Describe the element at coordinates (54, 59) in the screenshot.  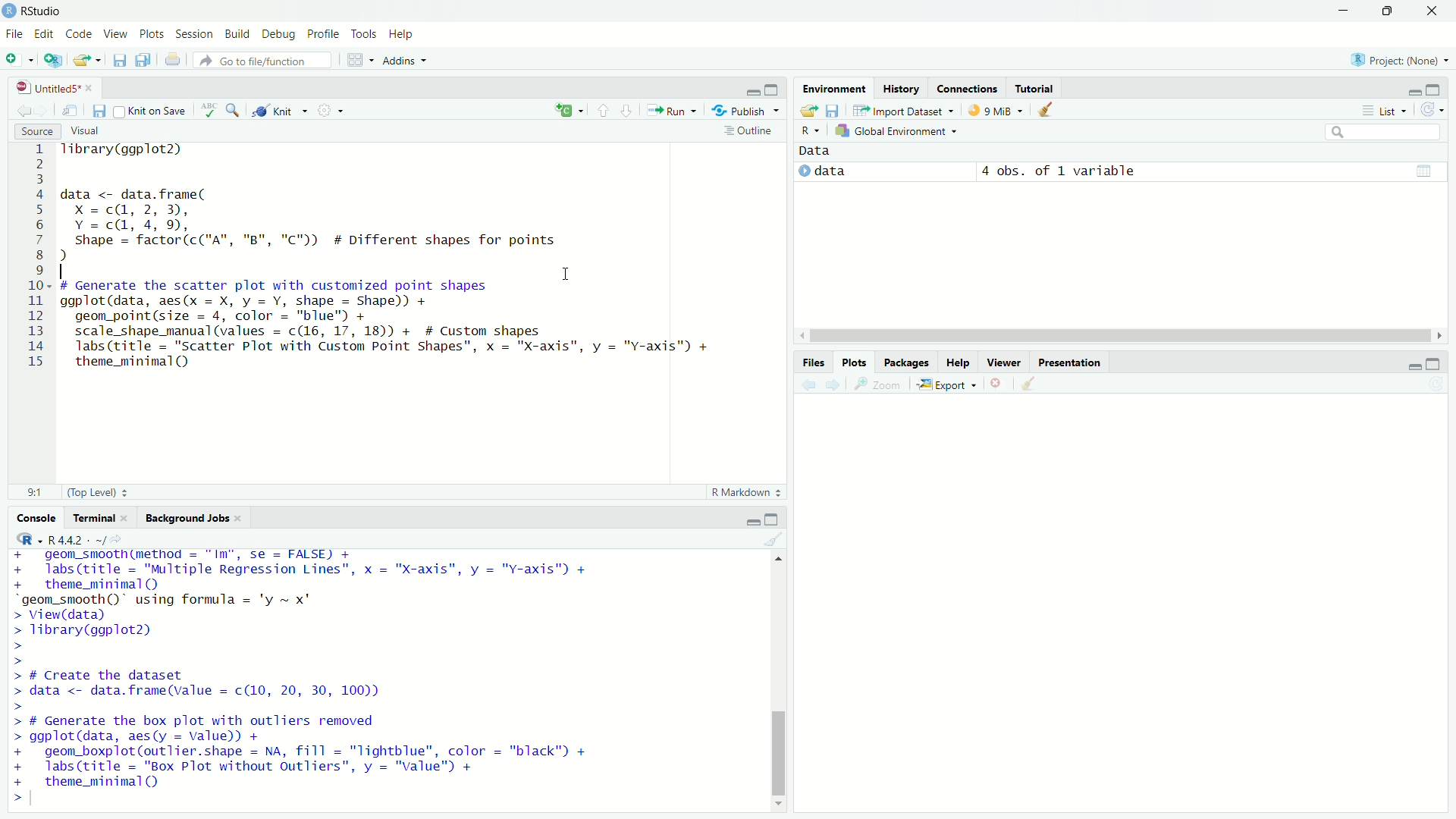
I see `Create a project` at that location.